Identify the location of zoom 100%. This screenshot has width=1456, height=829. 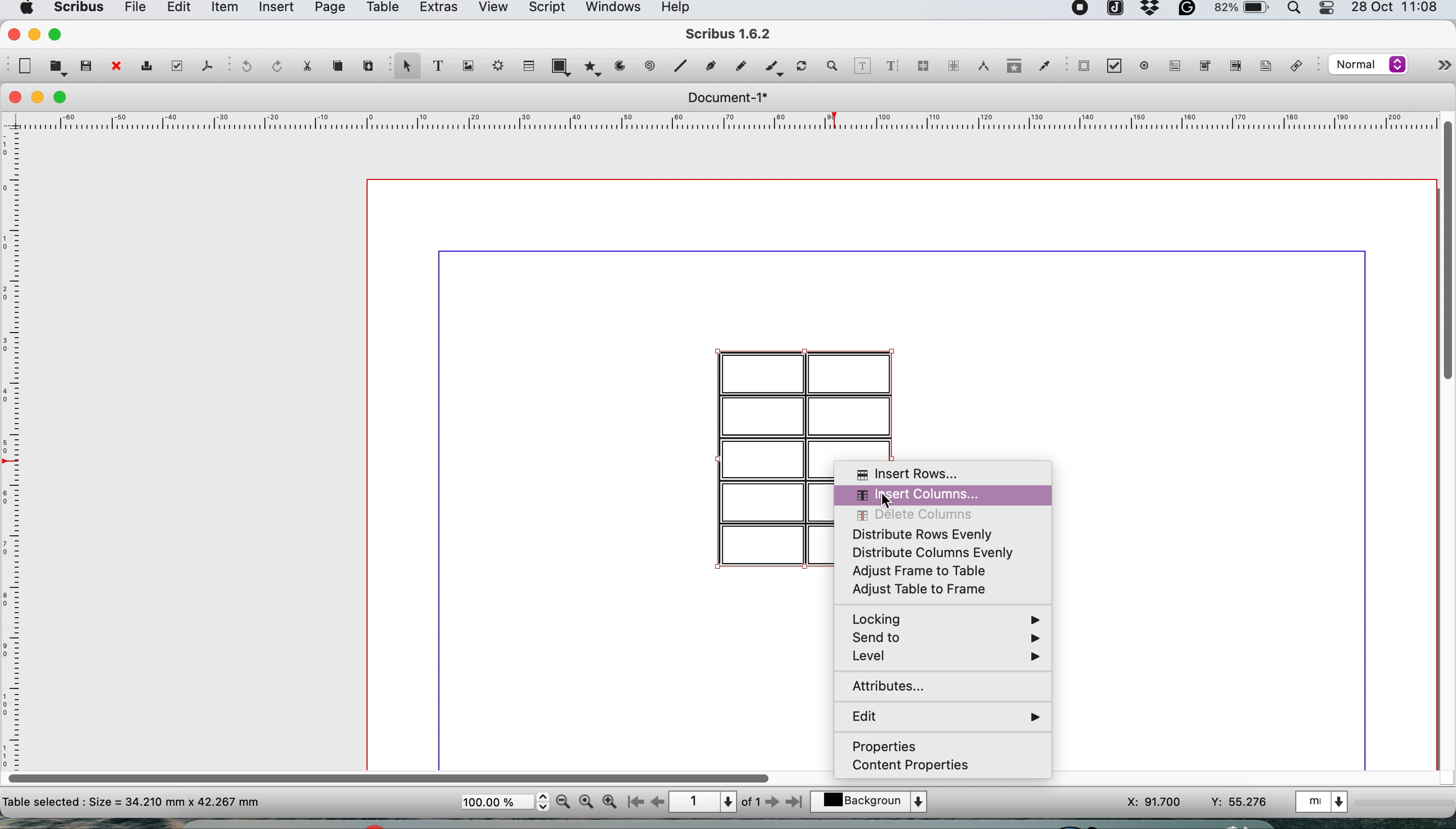
(588, 801).